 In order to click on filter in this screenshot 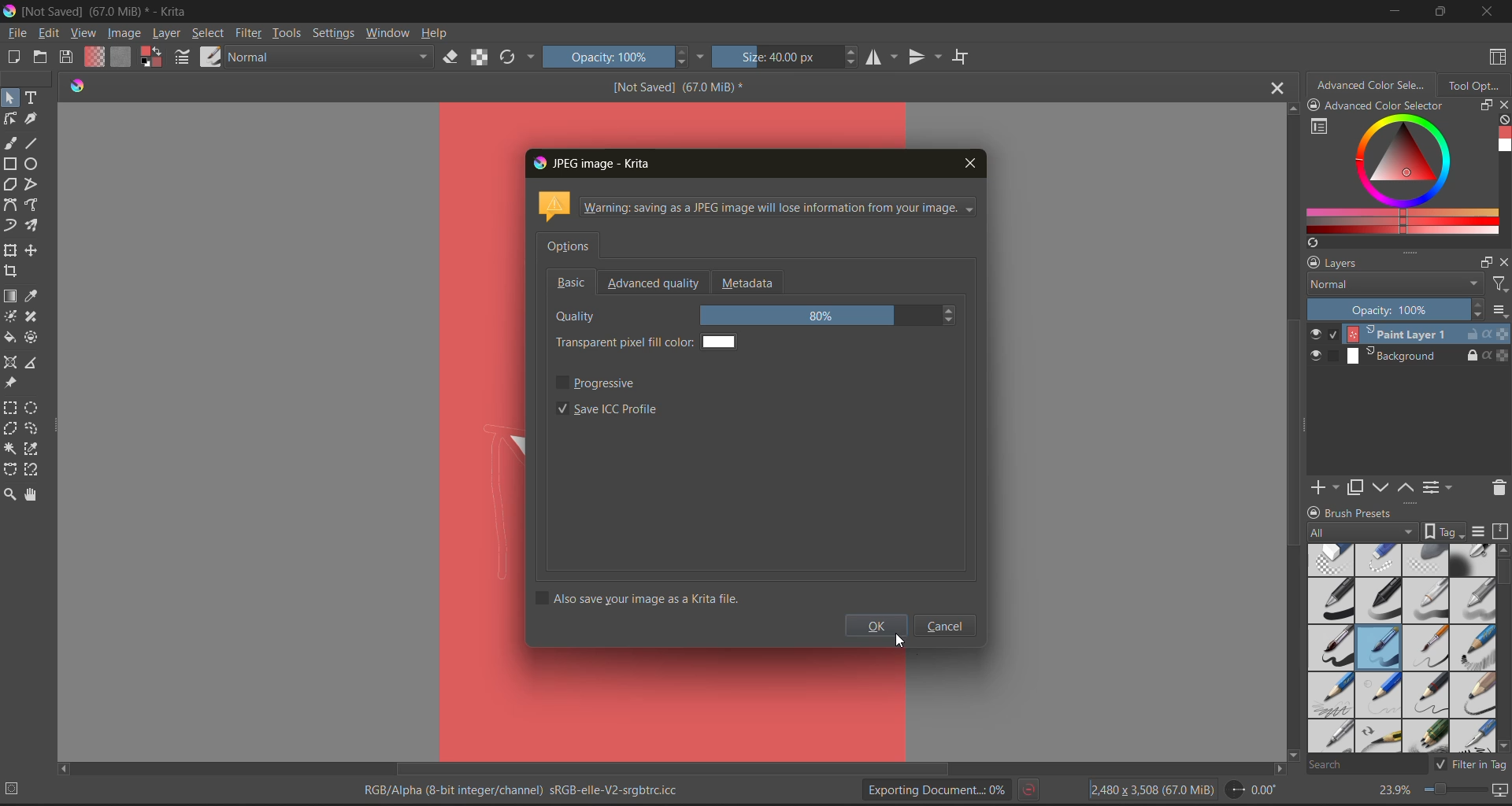, I will do `click(251, 33)`.